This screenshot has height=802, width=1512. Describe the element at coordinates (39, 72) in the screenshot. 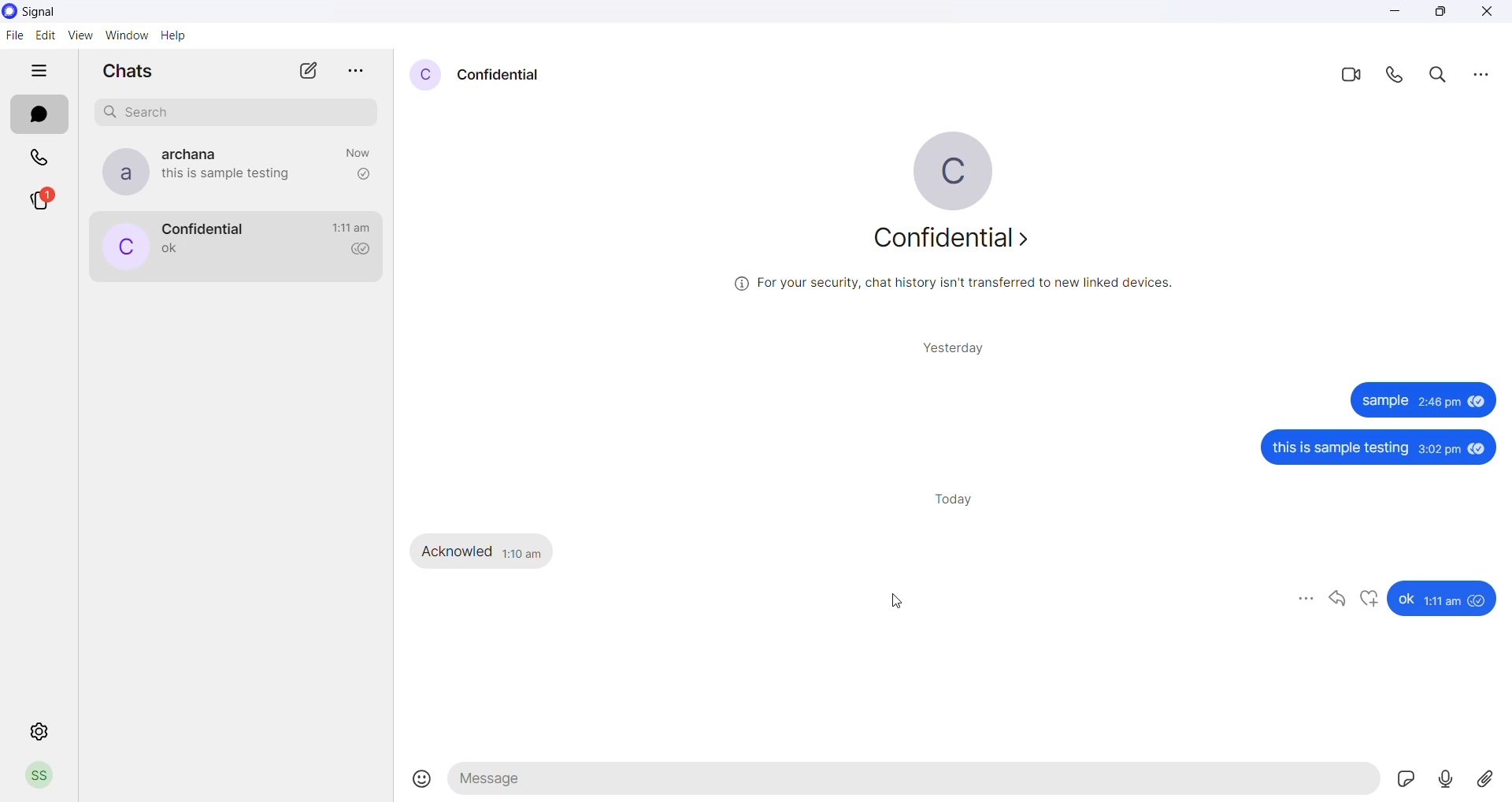

I see `hide` at that location.